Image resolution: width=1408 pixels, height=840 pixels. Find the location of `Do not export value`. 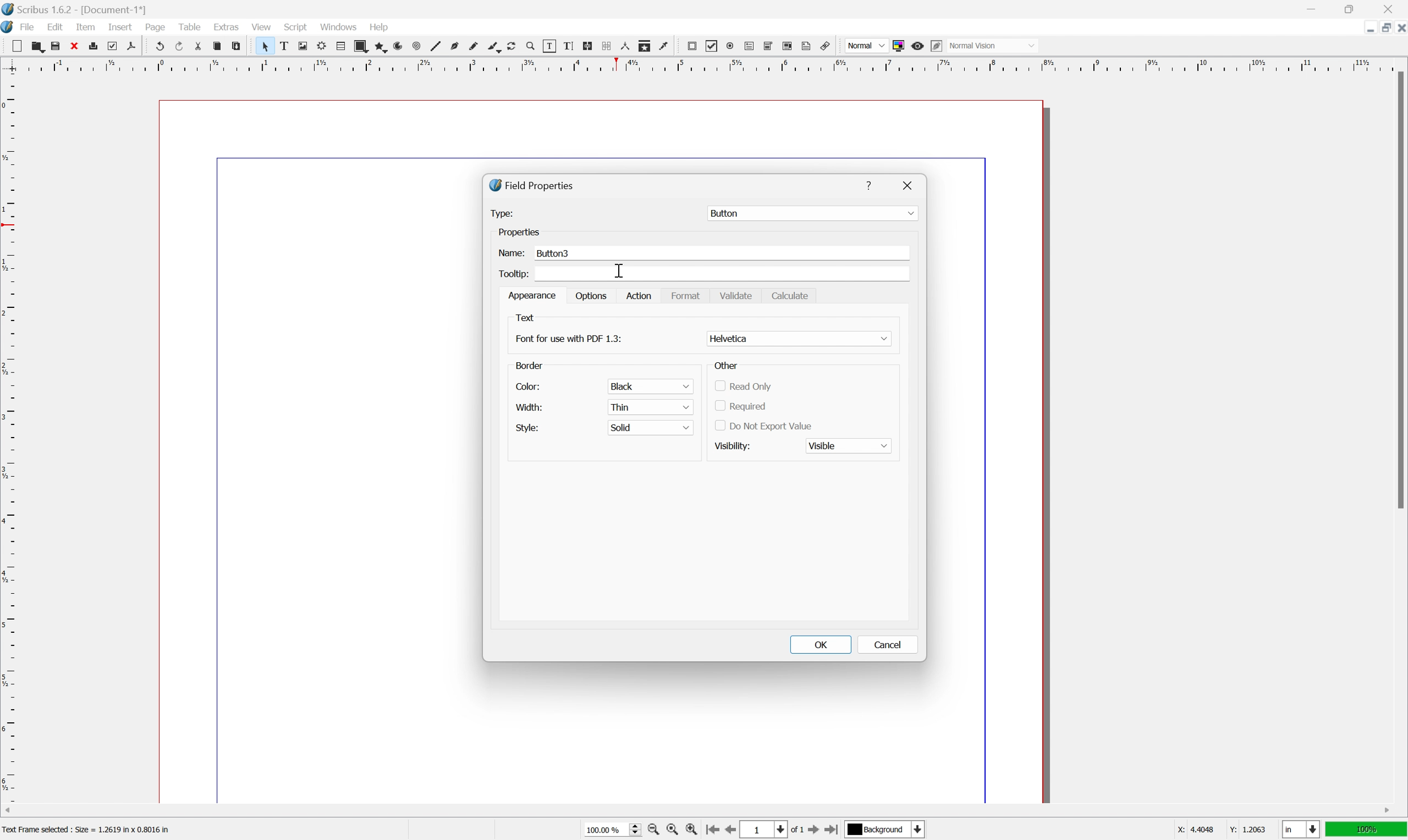

Do not export value is located at coordinates (767, 427).